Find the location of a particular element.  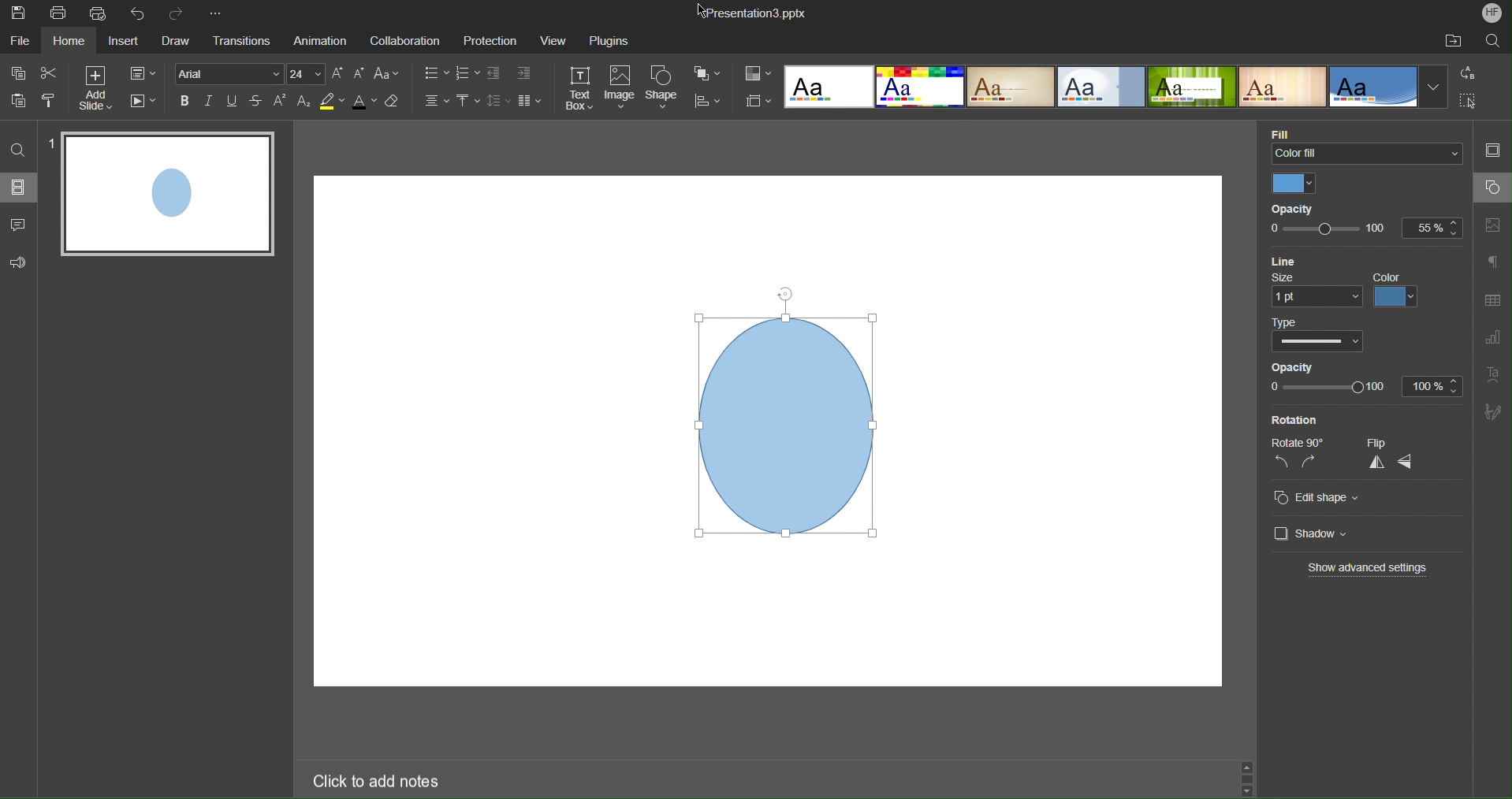

Account is located at coordinates (1493, 13).